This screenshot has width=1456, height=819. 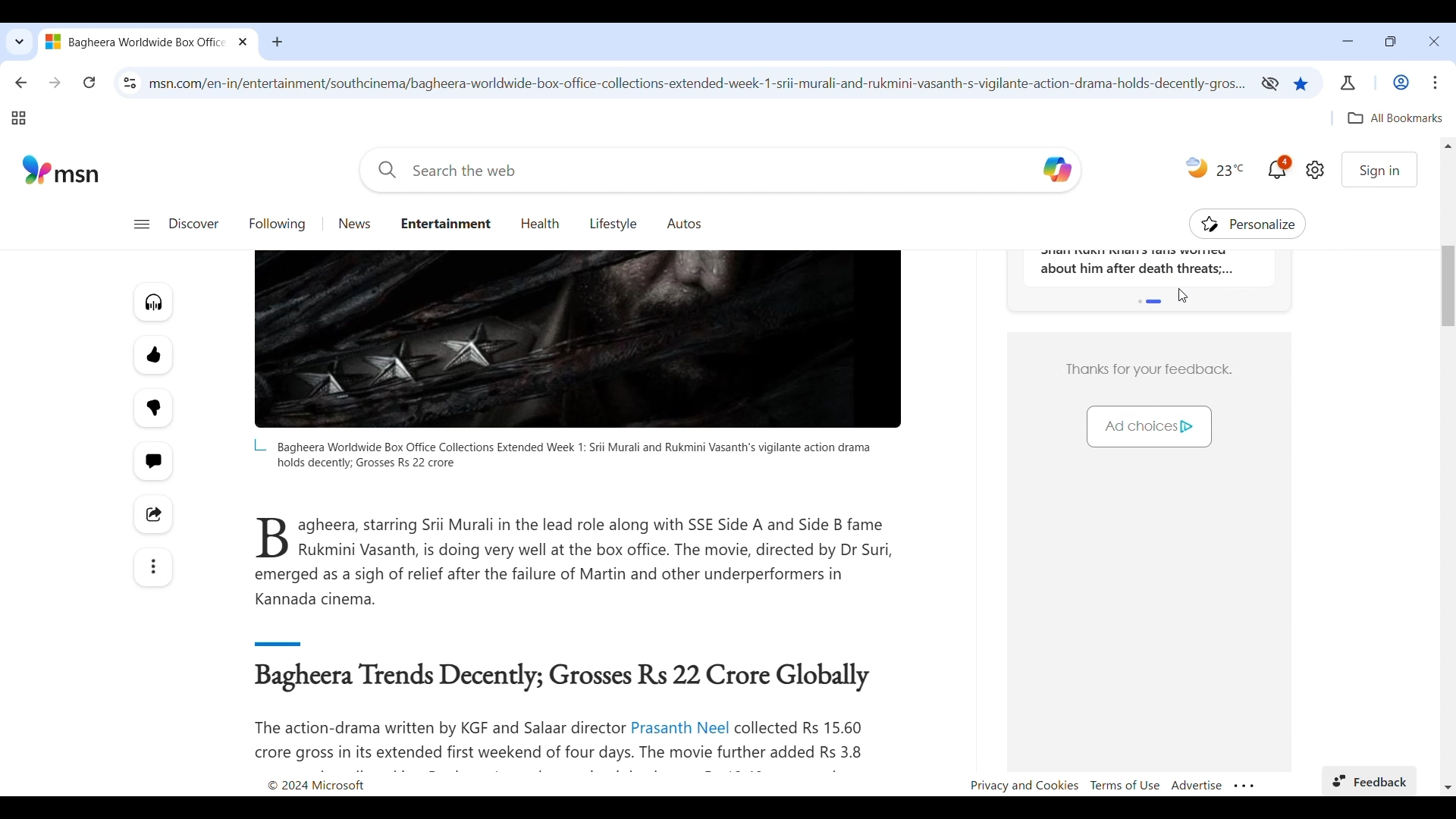 I want to click on Cursor position unchanged after saving bookmark, so click(x=1182, y=295).